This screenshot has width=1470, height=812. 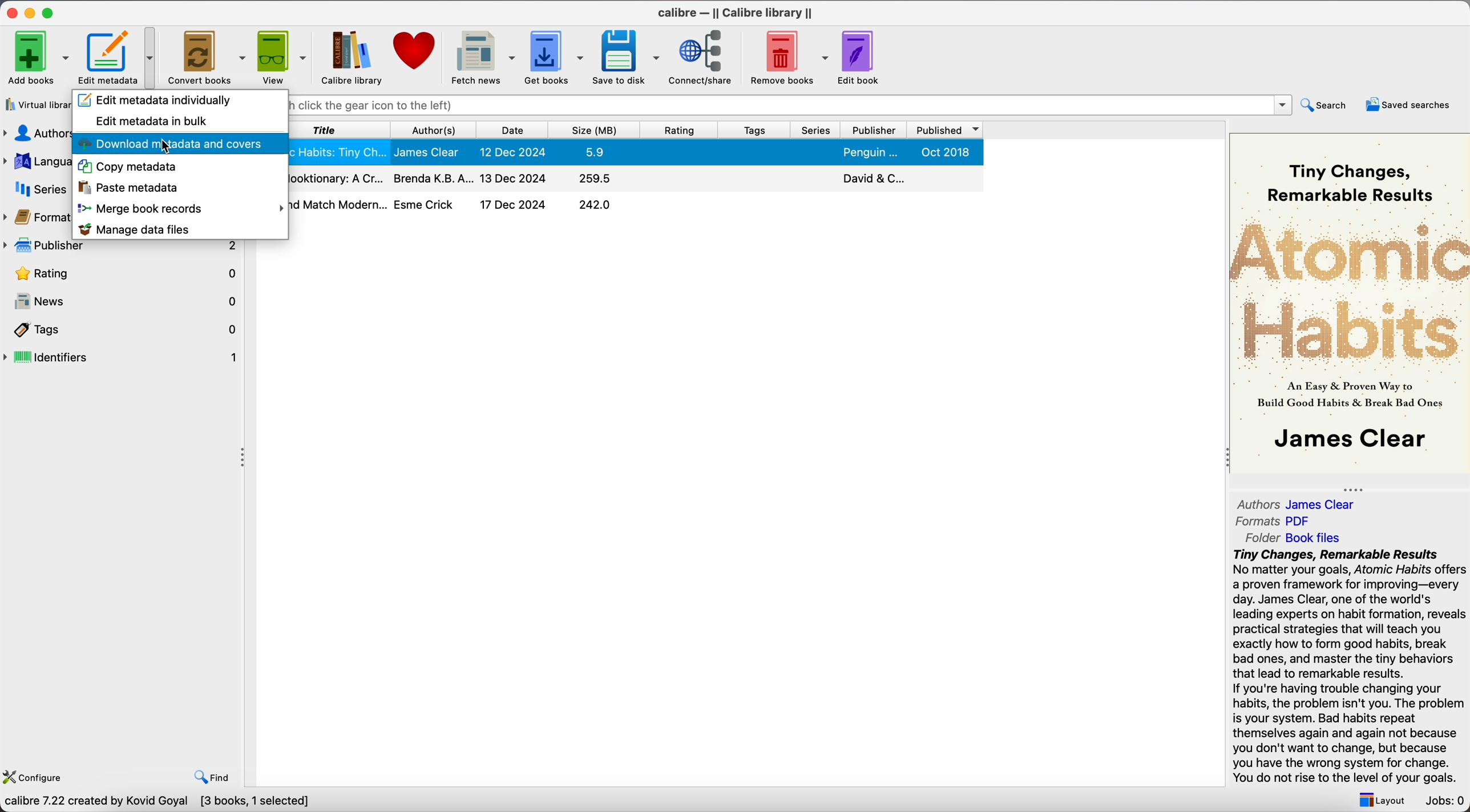 I want to click on Jobs: 0, so click(x=1445, y=799).